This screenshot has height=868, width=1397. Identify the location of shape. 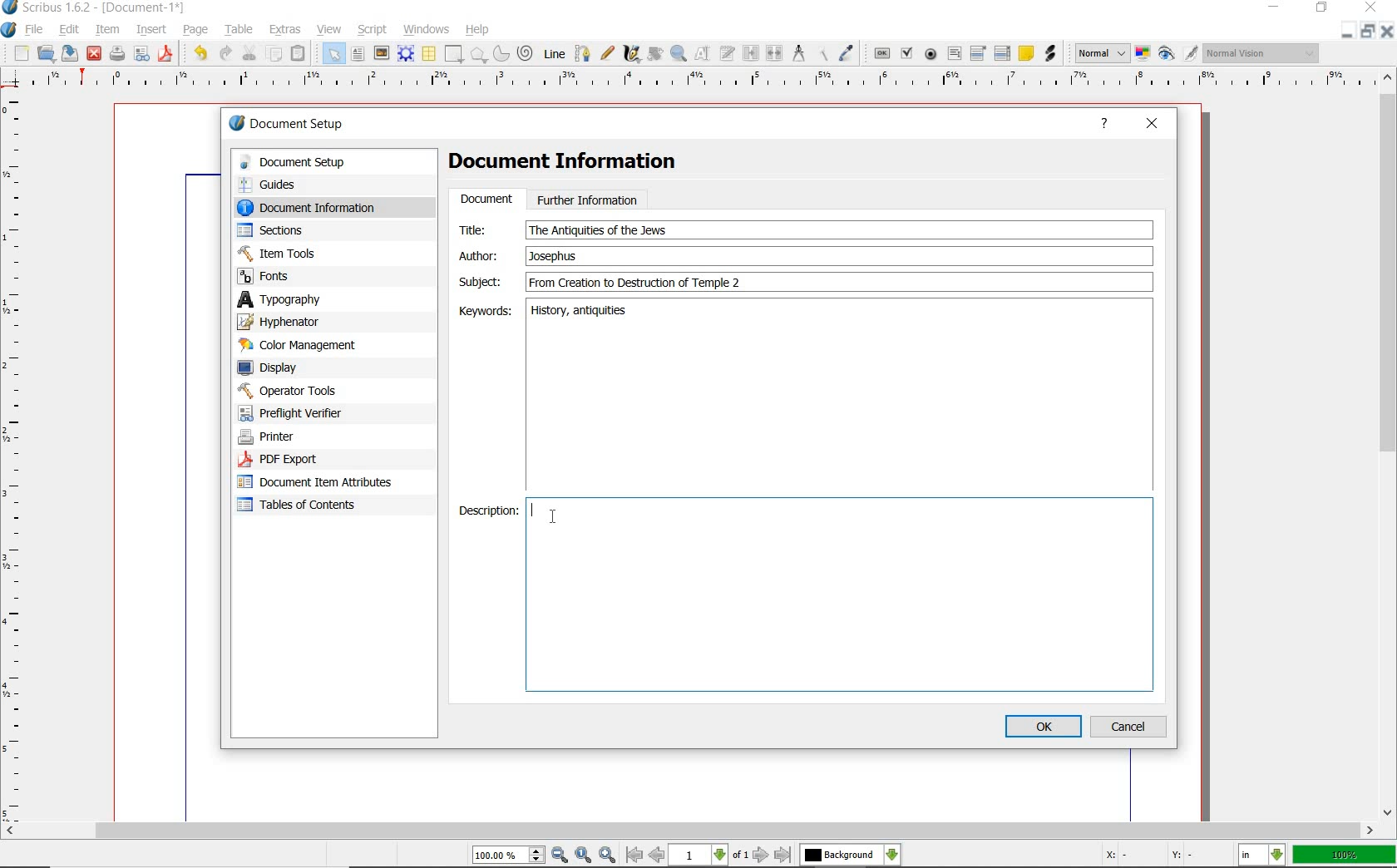
(478, 54).